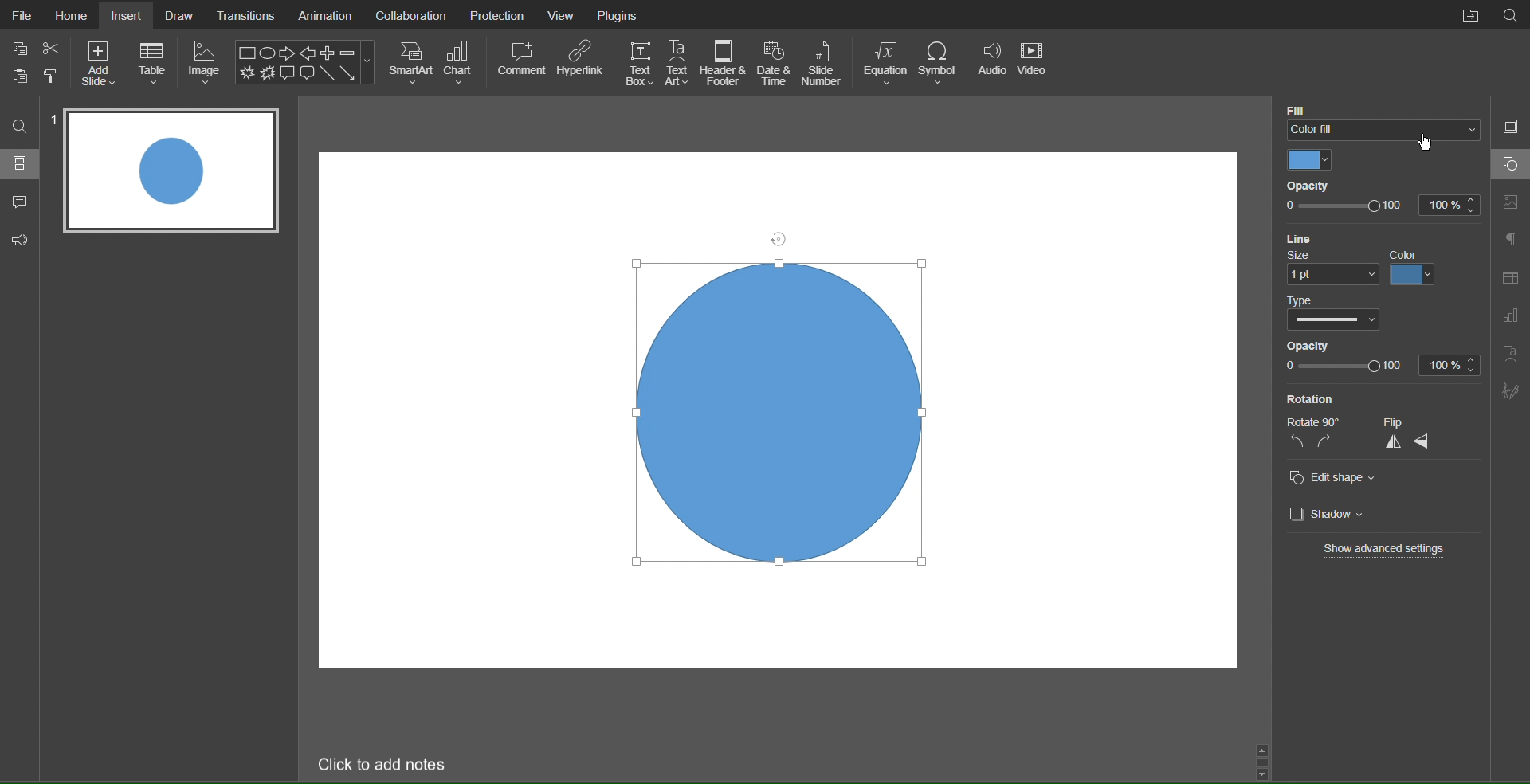 The image size is (1530, 784). Describe the element at coordinates (992, 64) in the screenshot. I see `Audio` at that location.